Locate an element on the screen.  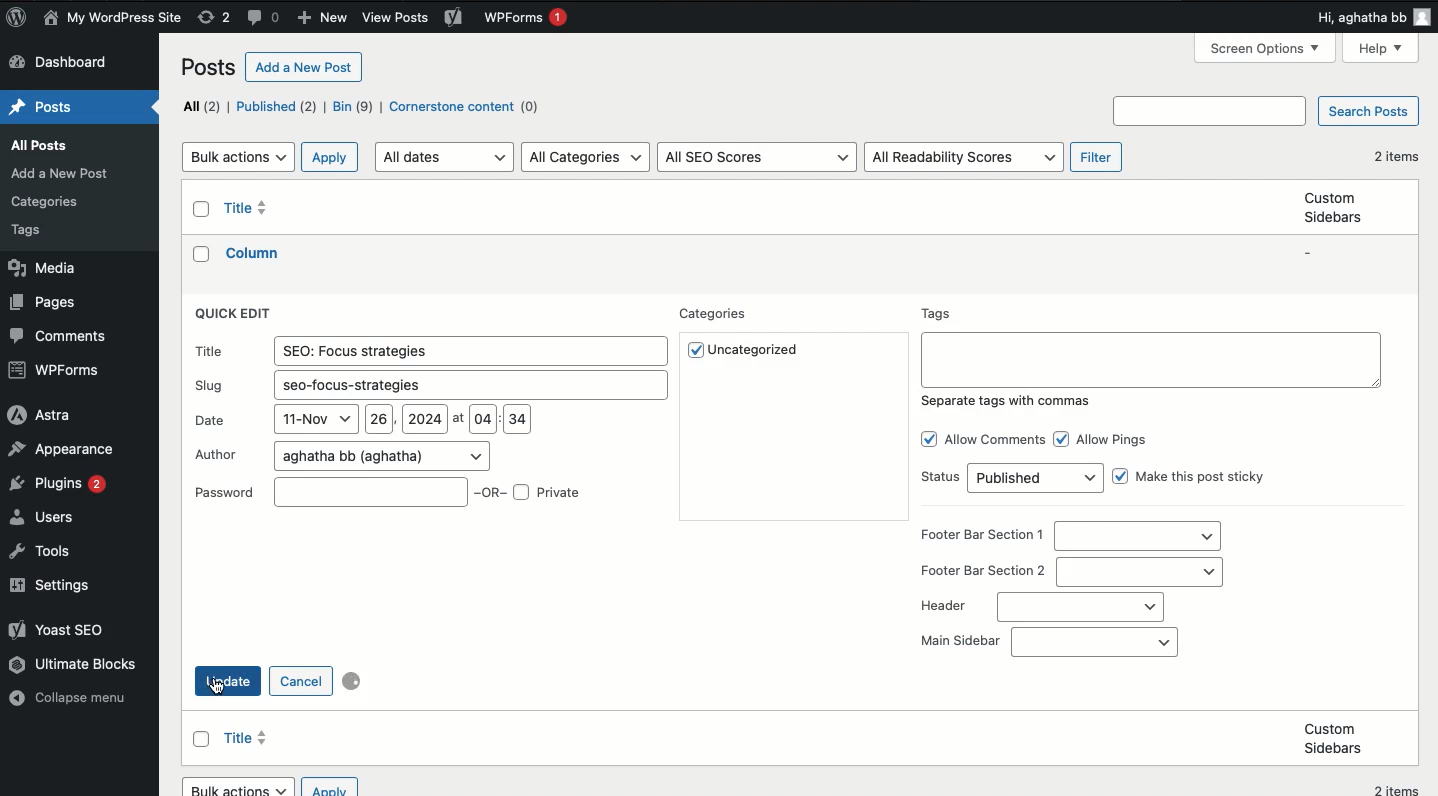
Header is located at coordinates (942, 607).